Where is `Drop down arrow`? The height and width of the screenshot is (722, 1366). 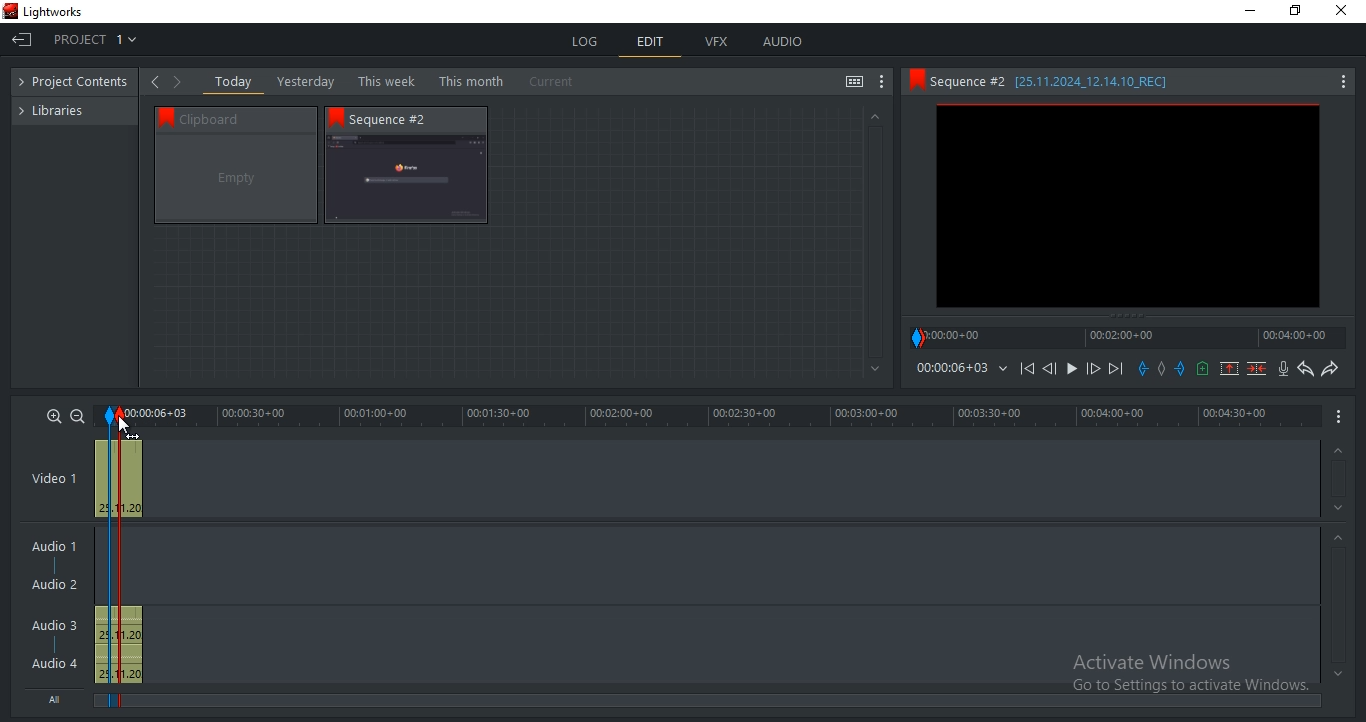 Drop down arrow is located at coordinates (1003, 369).